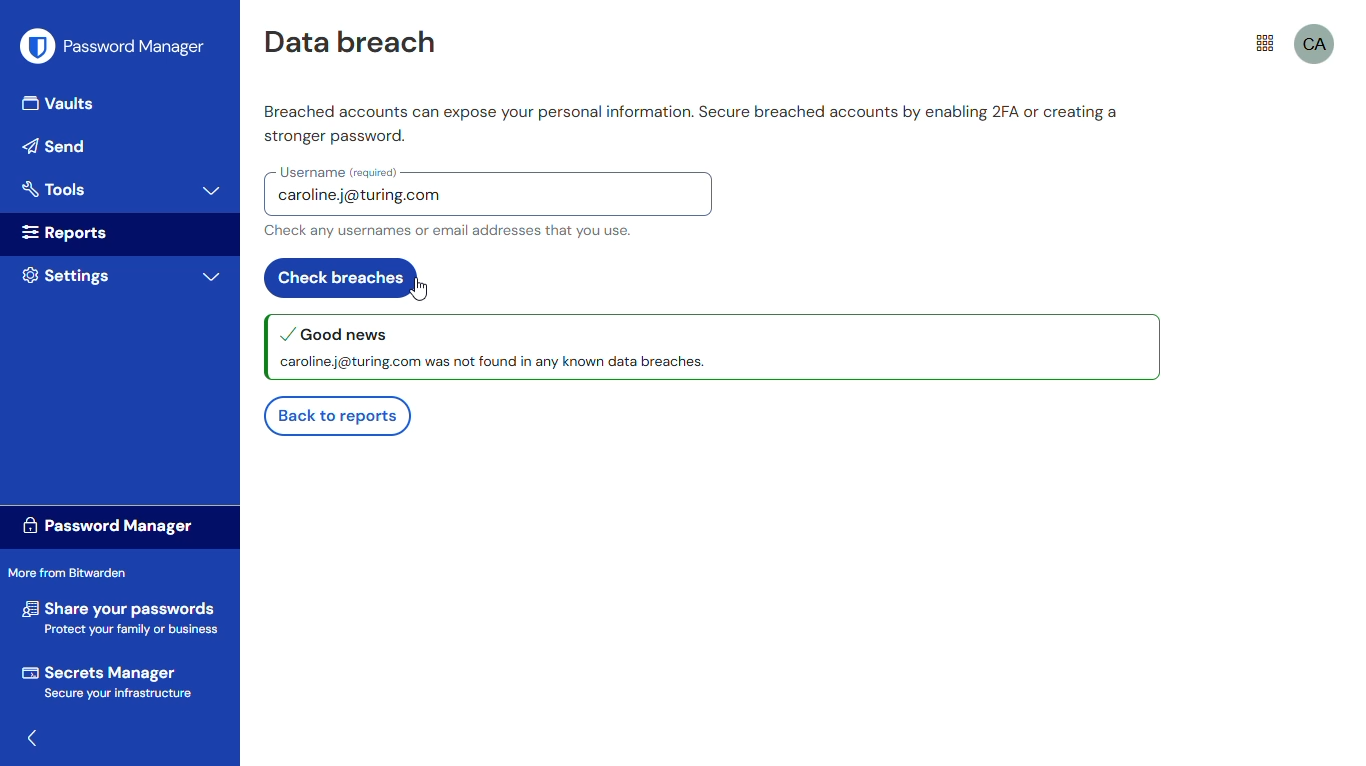 This screenshot has width=1366, height=766. I want to click on password manager, so click(135, 46).